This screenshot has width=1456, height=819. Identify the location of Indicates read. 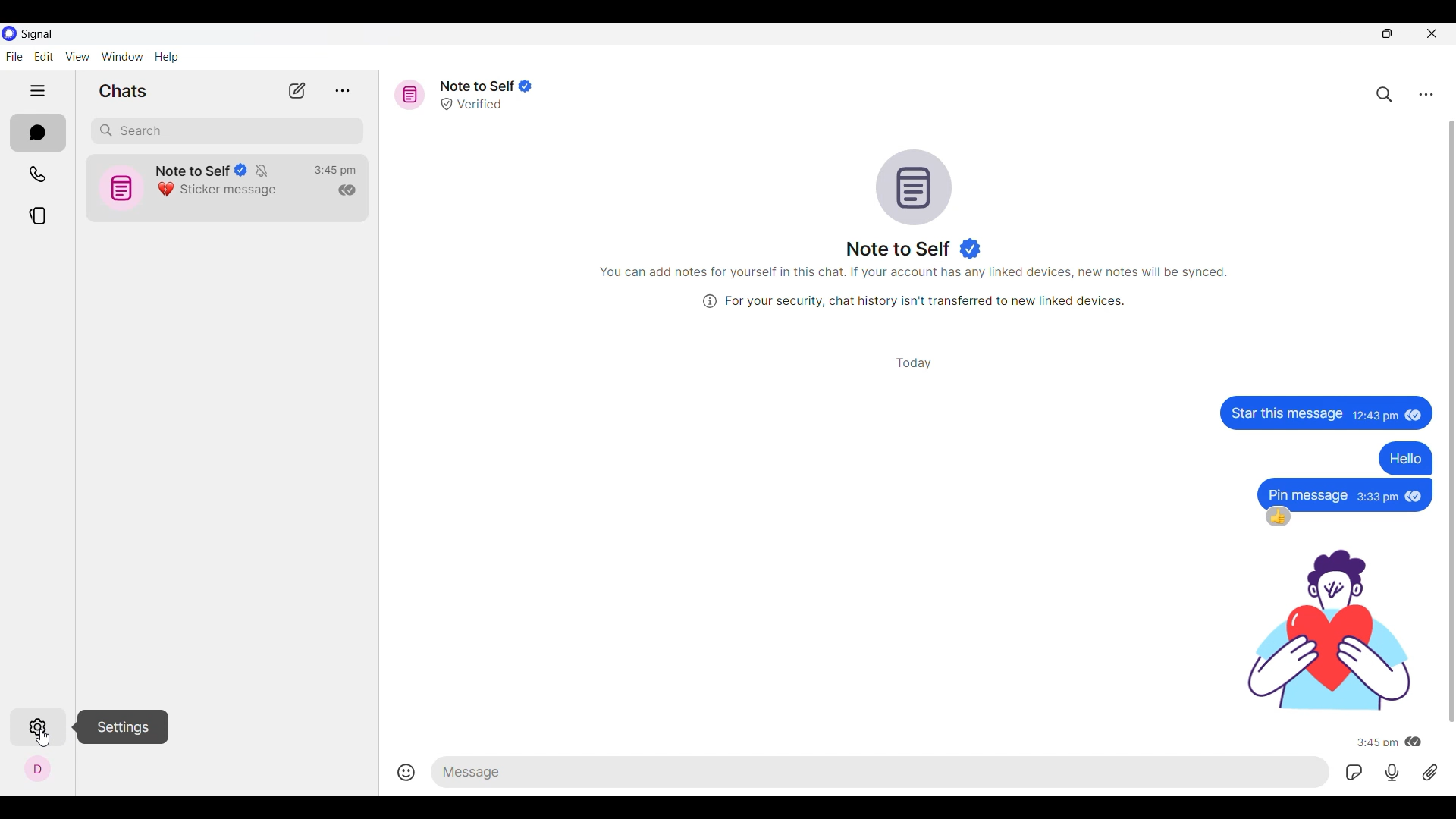
(347, 190).